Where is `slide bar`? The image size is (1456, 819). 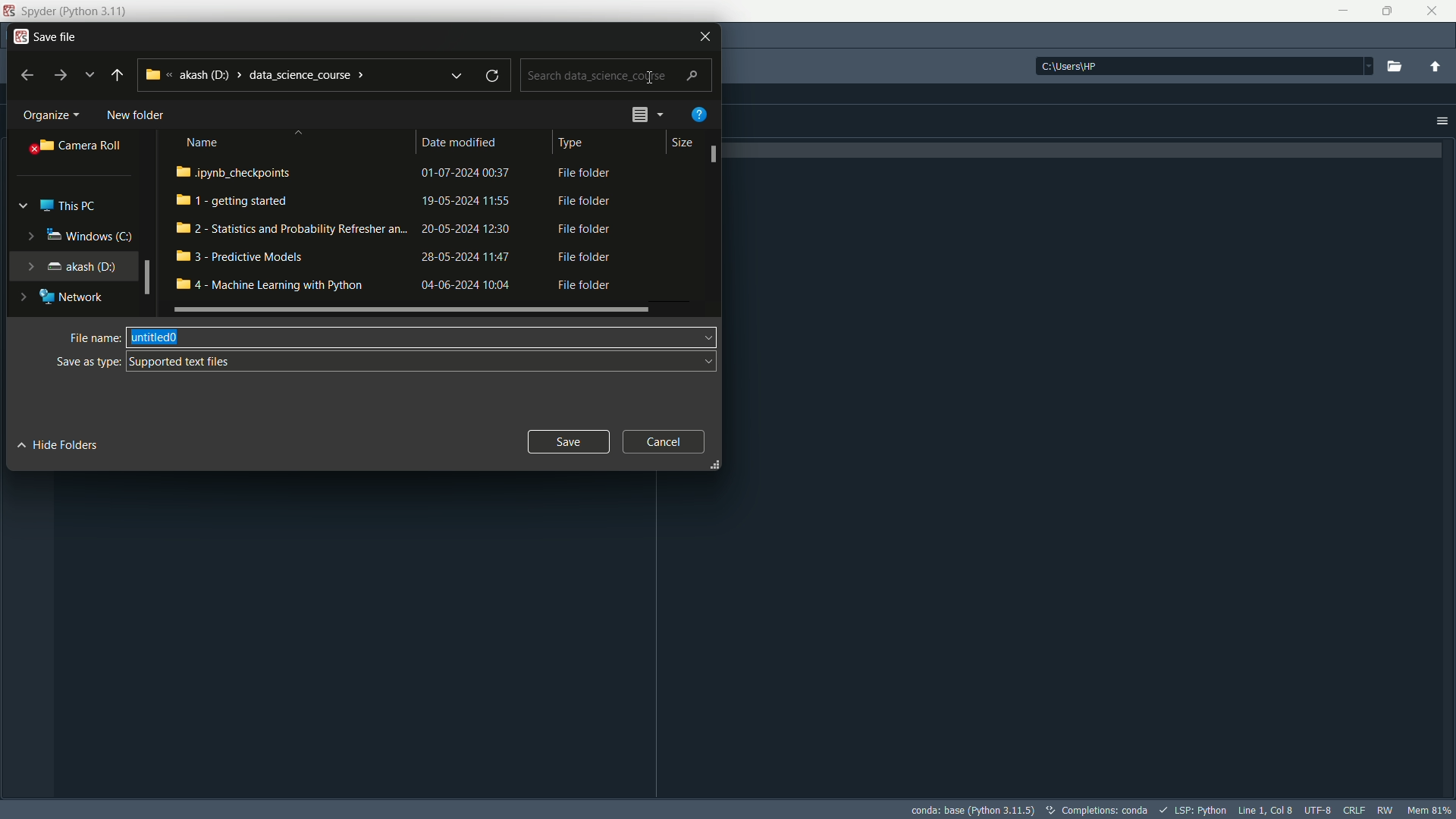
slide bar is located at coordinates (415, 312).